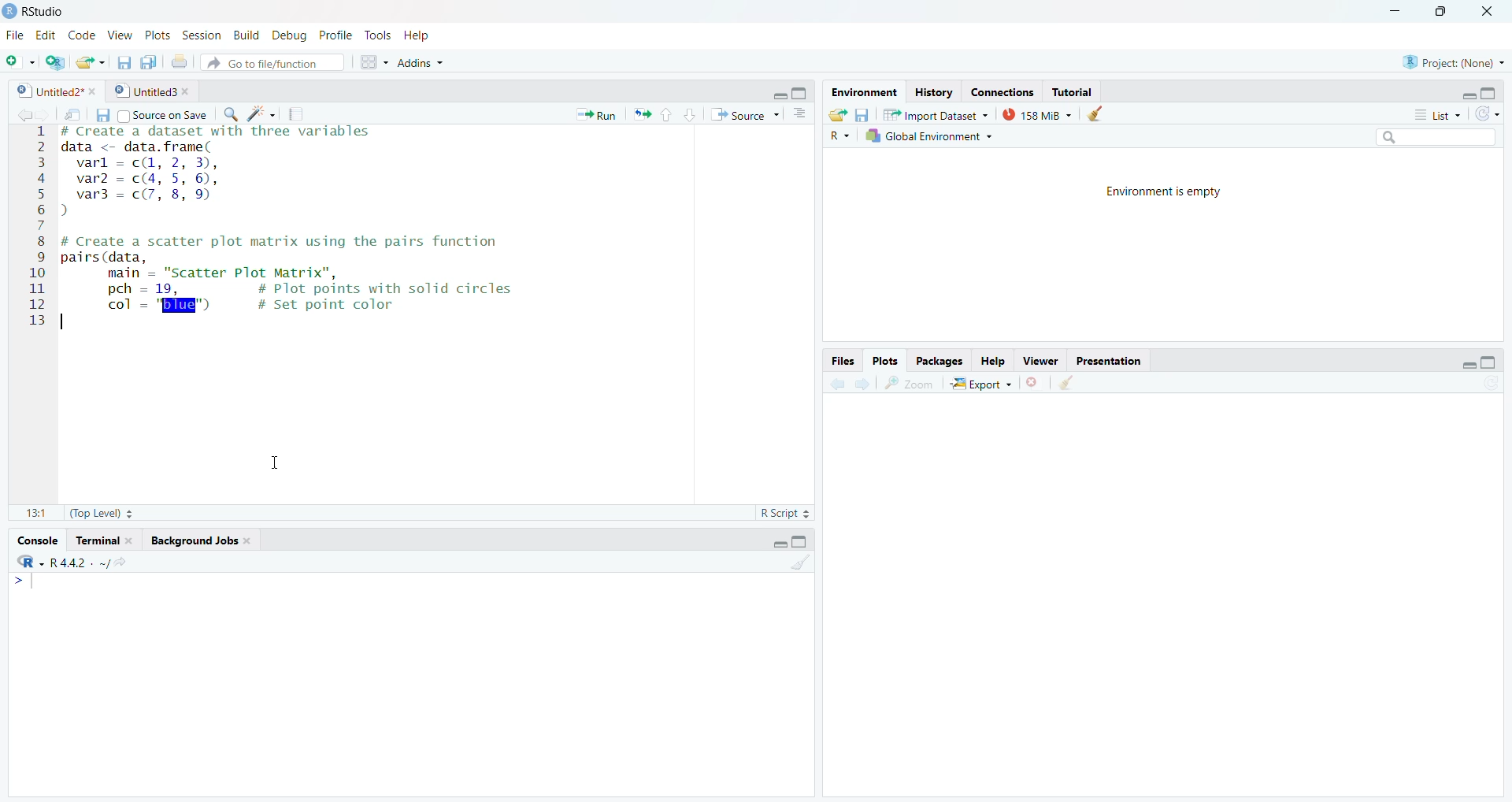 The image size is (1512, 802). What do you see at coordinates (25, 562) in the screenshot?
I see `R` at bounding box center [25, 562].